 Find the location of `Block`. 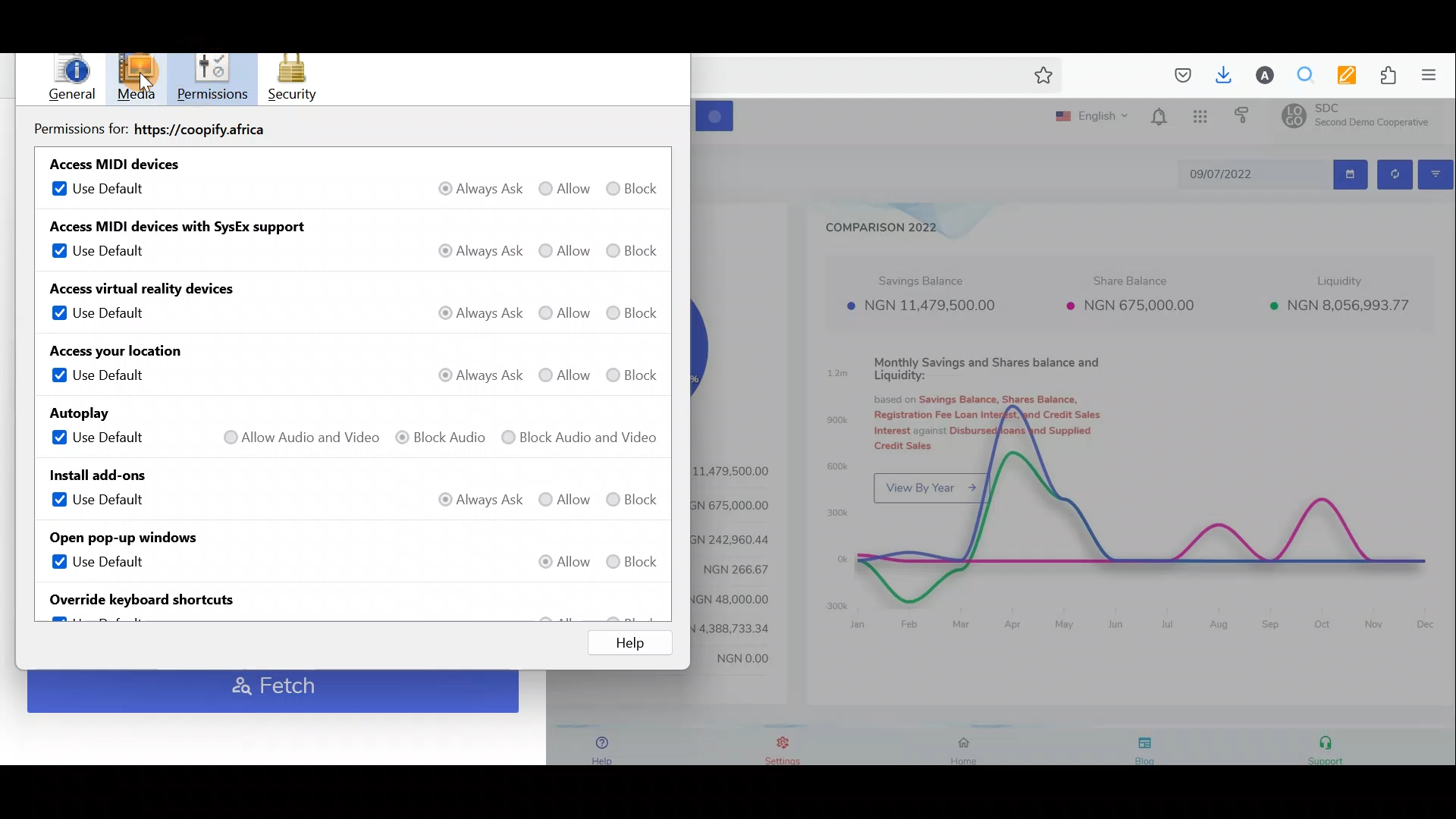

Block is located at coordinates (629, 560).